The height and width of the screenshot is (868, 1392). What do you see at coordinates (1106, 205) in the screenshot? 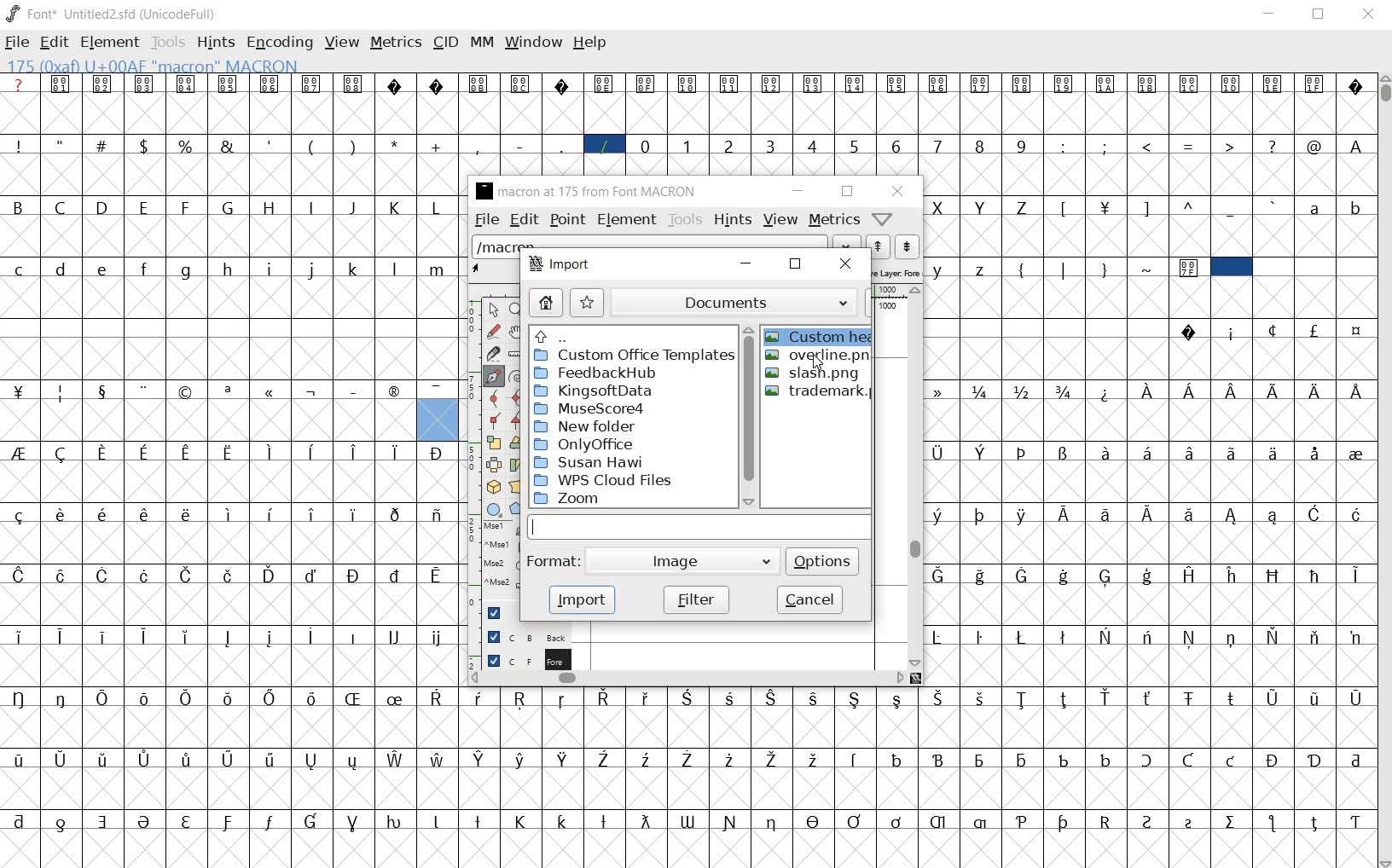
I see `Symbol` at bounding box center [1106, 205].